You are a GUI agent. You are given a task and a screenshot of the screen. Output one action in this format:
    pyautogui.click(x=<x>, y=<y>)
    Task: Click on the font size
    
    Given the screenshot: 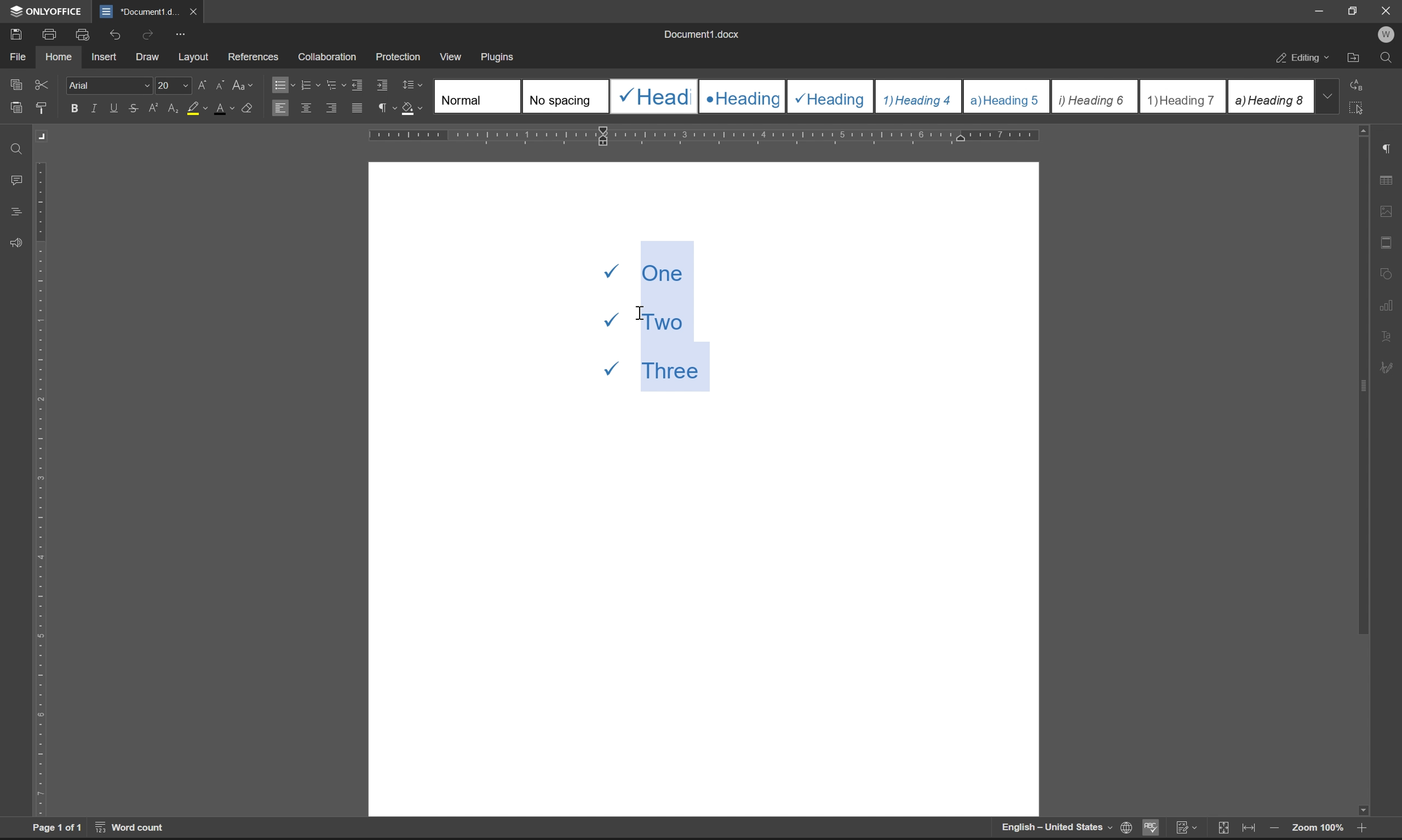 What is the action you would take?
    pyautogui.click(x=171, y=84)
    